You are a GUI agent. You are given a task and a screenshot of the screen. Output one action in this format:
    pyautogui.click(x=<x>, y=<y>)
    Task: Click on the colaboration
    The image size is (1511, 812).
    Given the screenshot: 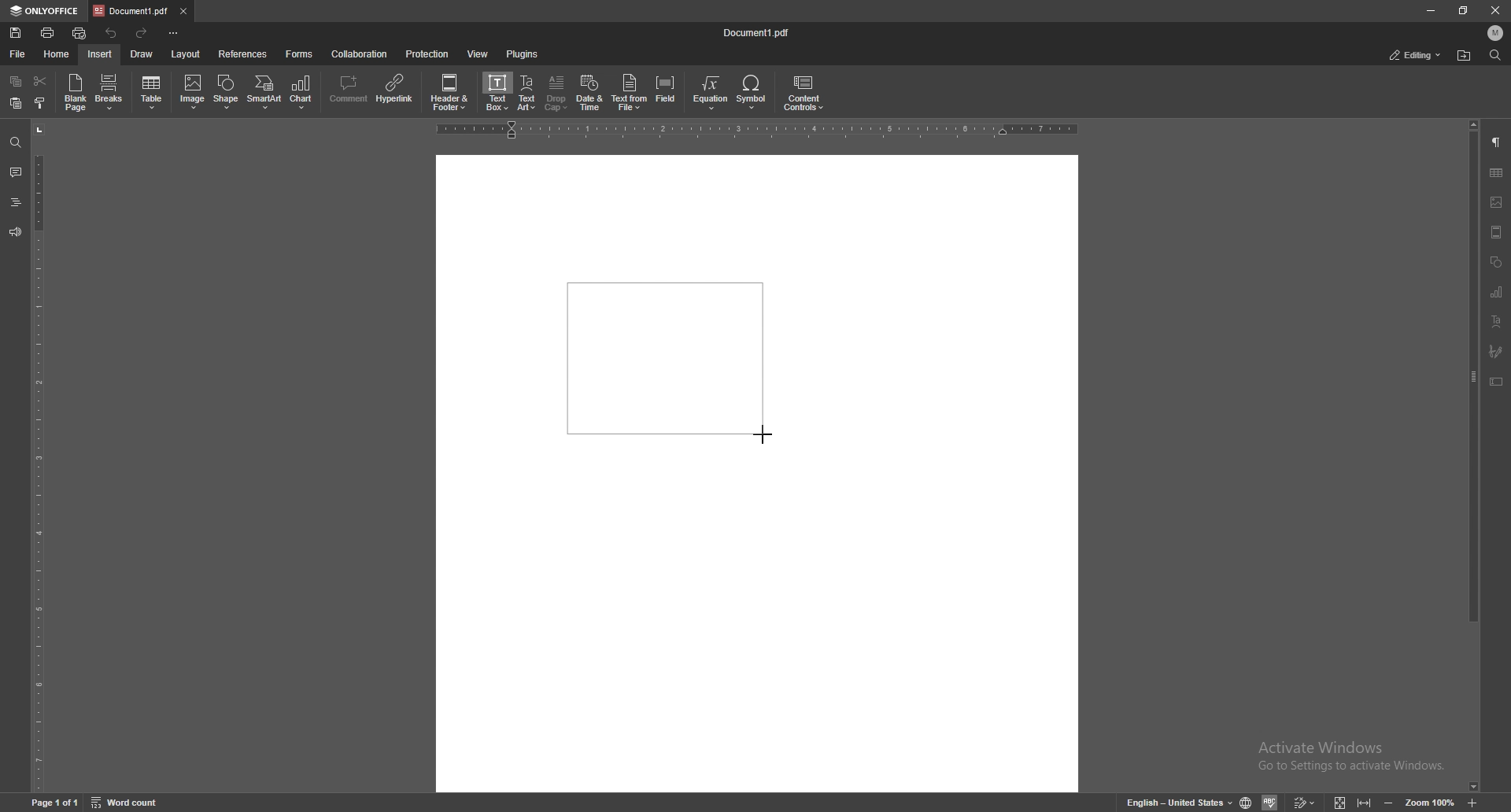 What is the action you would take?
    pyautogui.click(x=360, y=54)
    